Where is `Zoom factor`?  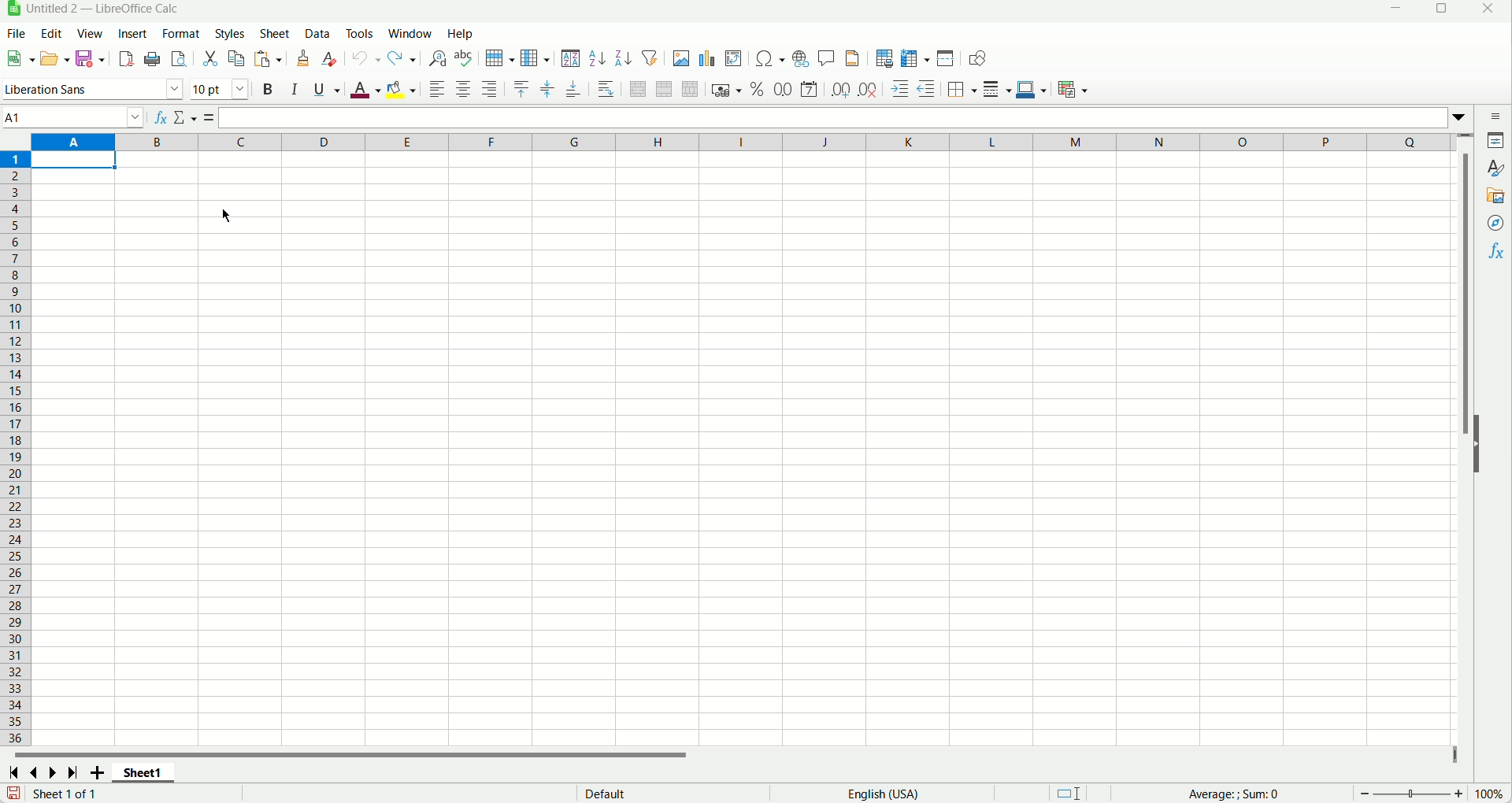
Zoom factor is located at coordinates (1492, 795).